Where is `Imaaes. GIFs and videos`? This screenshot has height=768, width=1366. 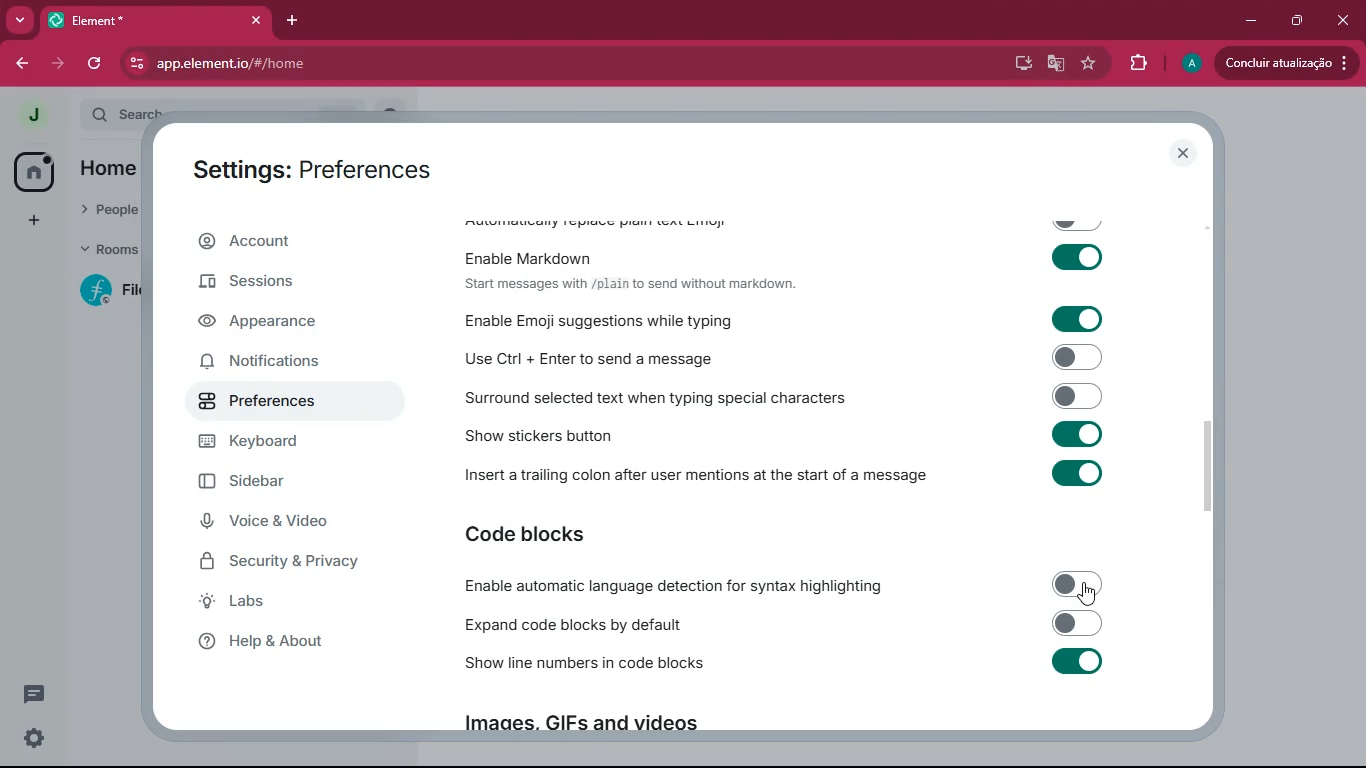
Imaaes. GIFs and videos is located at coordinates (578, 727).